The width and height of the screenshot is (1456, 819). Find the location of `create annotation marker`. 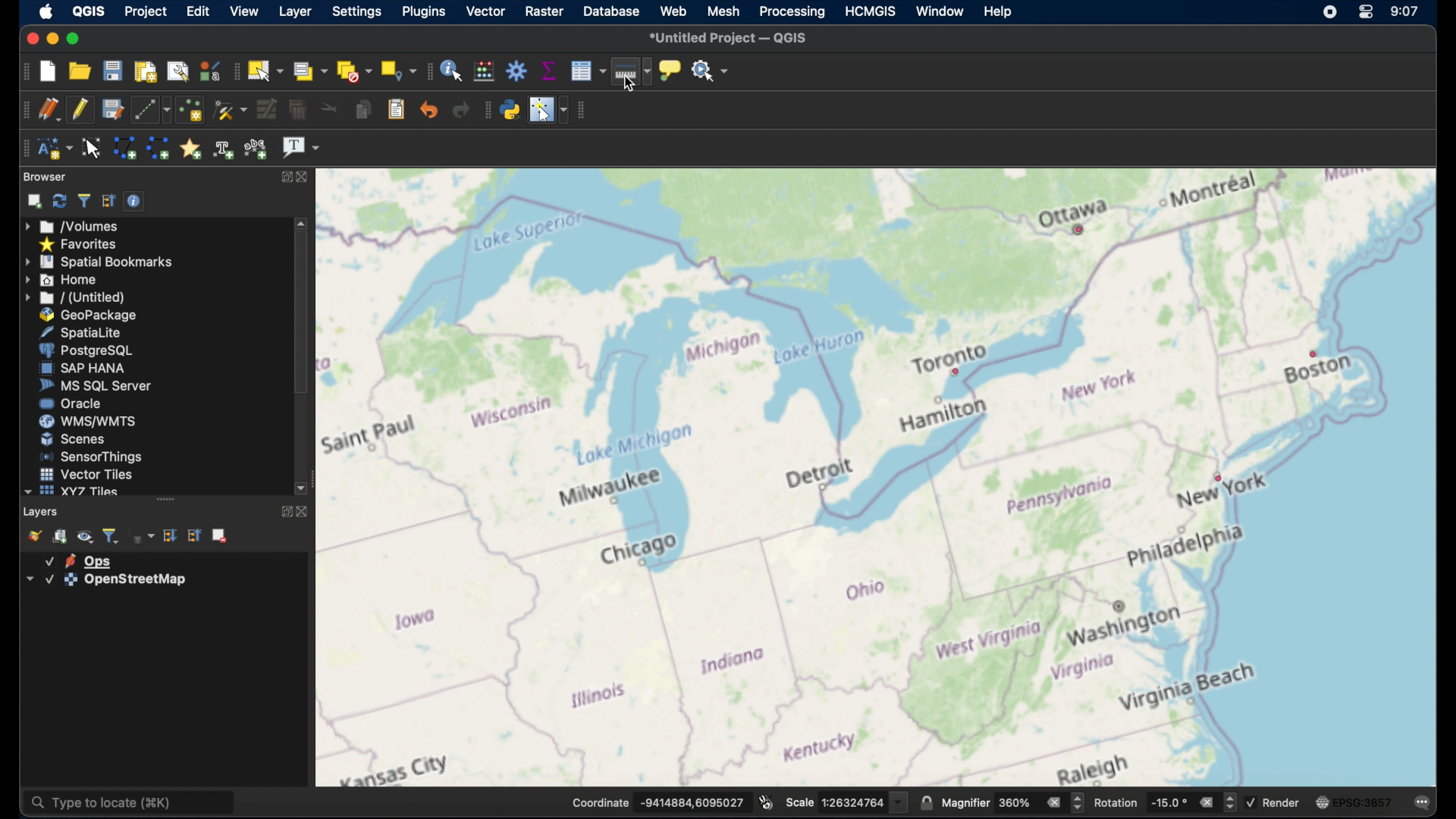

create annotation marker is located at coordinates (190, 147).